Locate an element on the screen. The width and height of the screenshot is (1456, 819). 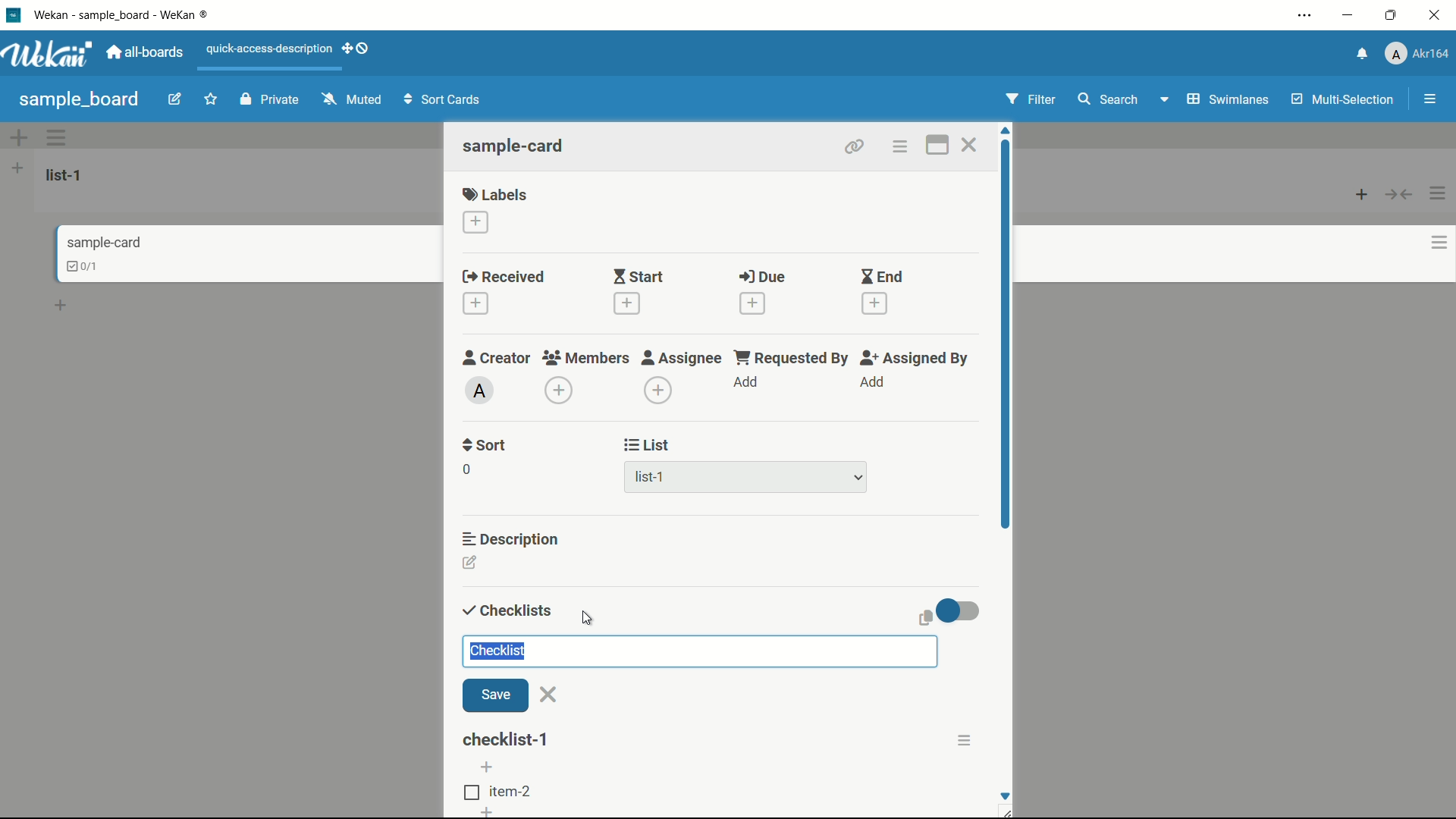
scroll bar is located at coordinates (1007, 378).